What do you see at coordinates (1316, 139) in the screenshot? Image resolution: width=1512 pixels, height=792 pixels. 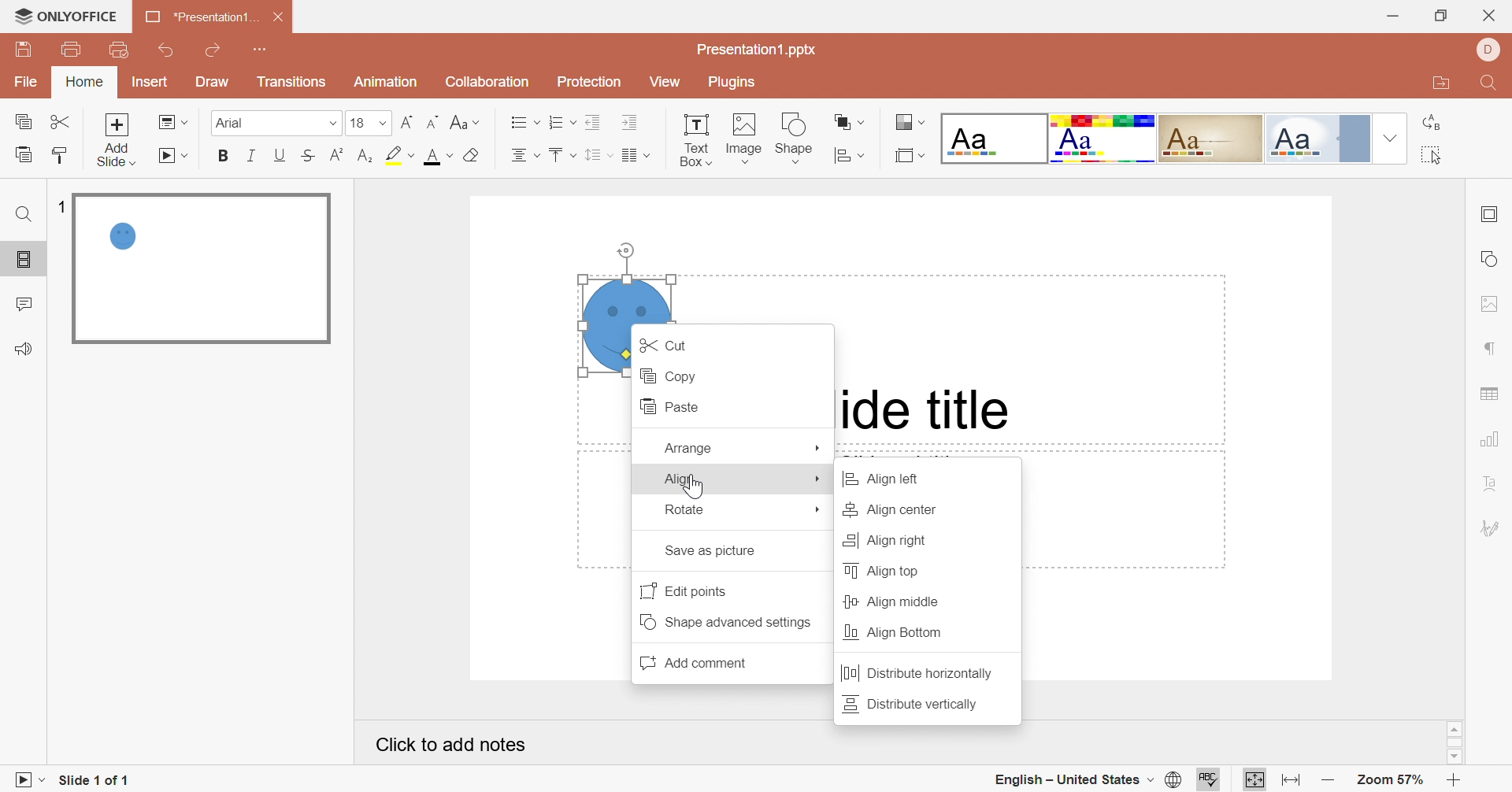 I see `Official` at bounding box center [1316, 139].